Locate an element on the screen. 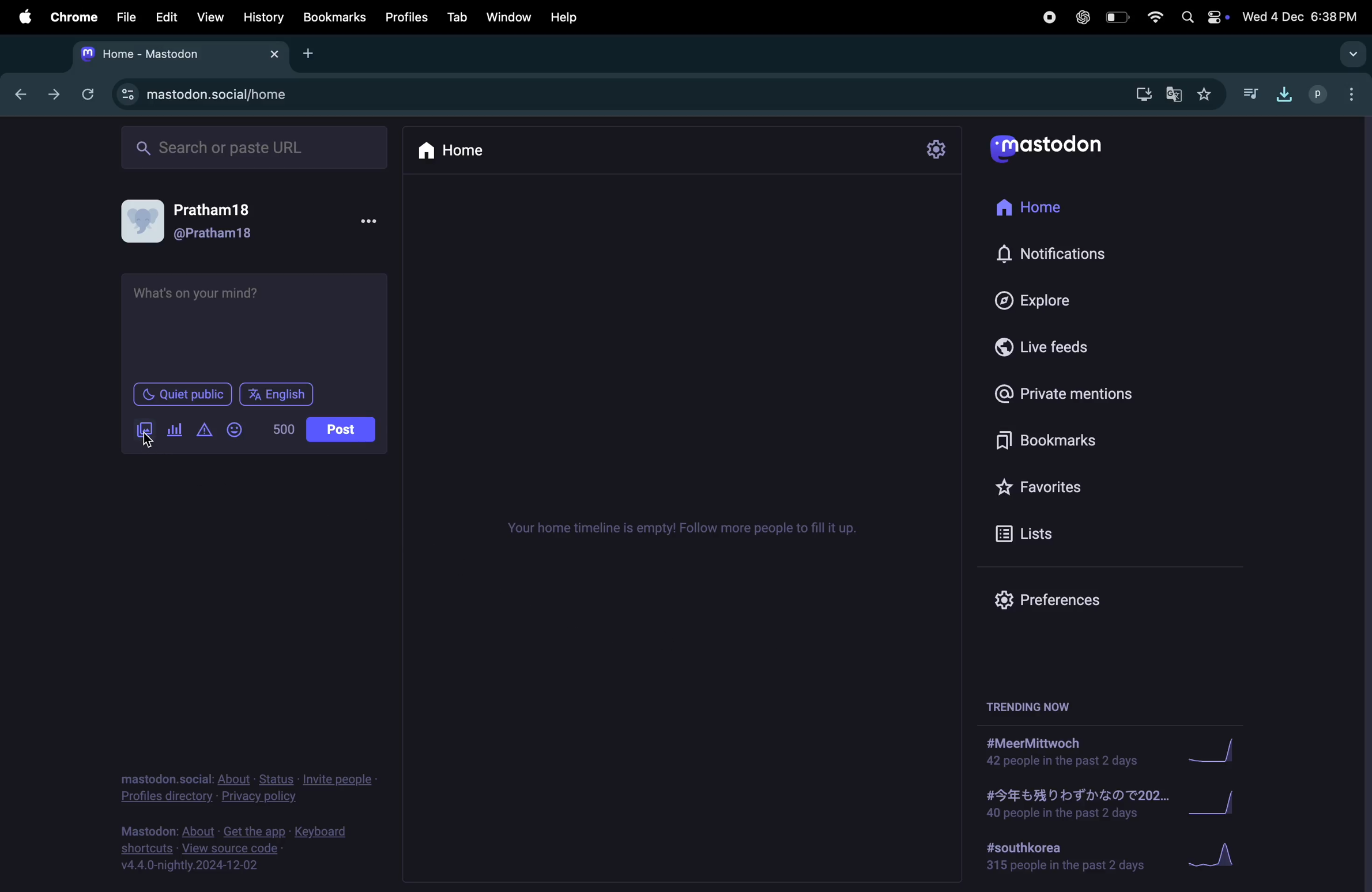  options is located at coordinates (367, 224).